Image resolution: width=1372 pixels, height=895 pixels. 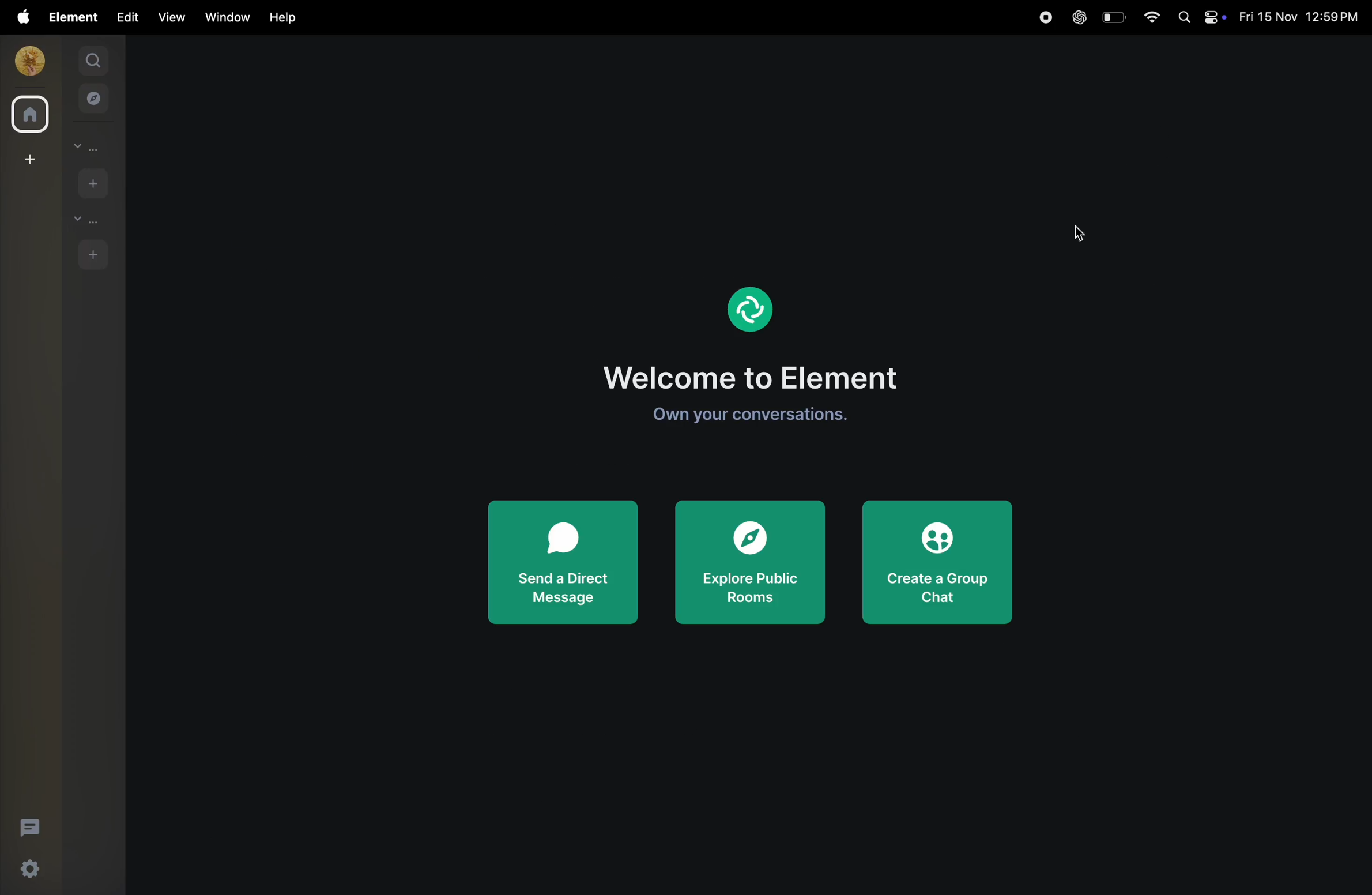 I want to click on profile, so click(x=27, y=61).